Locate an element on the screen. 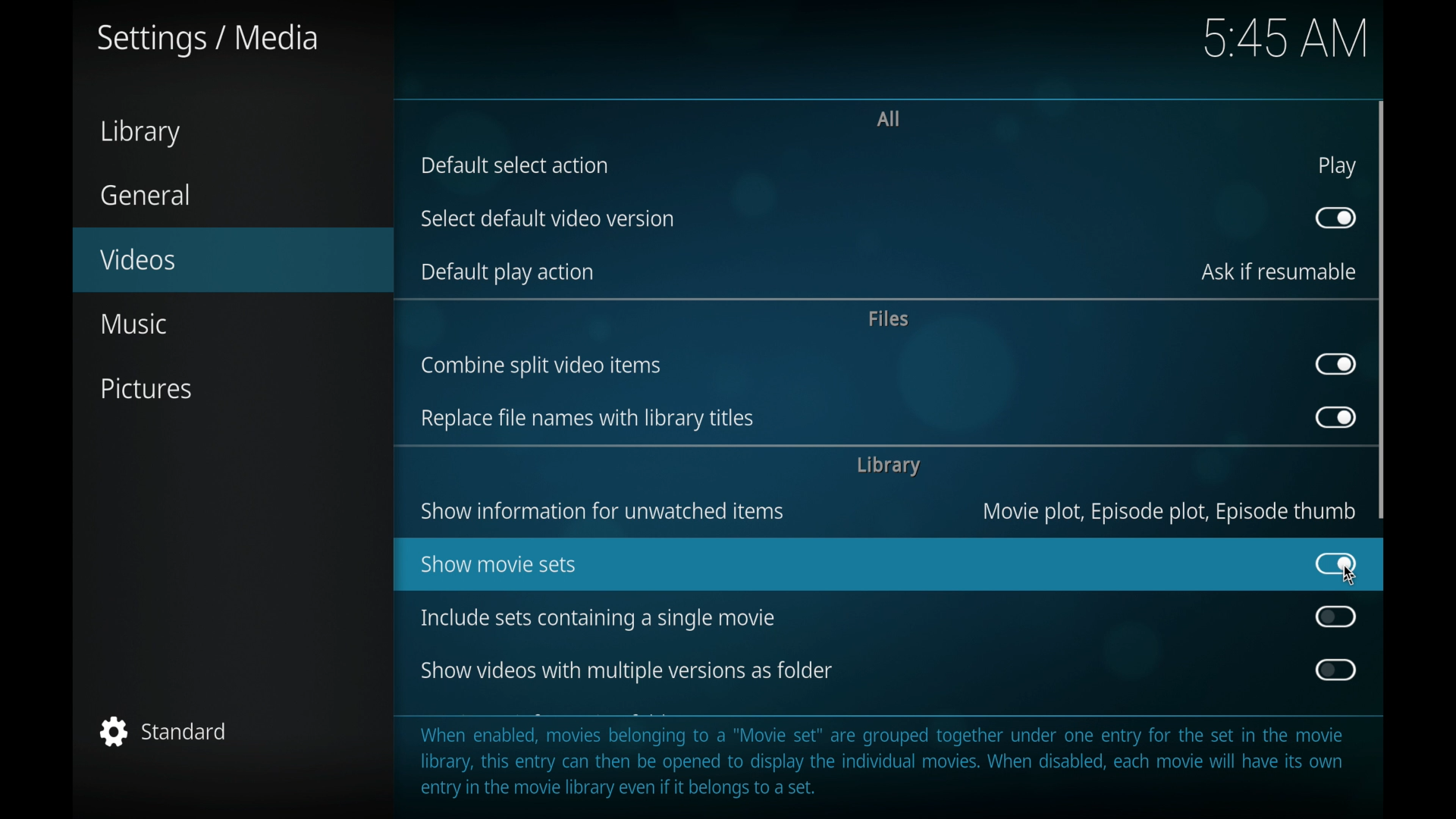  include sets is located at coordinates (596, 619).